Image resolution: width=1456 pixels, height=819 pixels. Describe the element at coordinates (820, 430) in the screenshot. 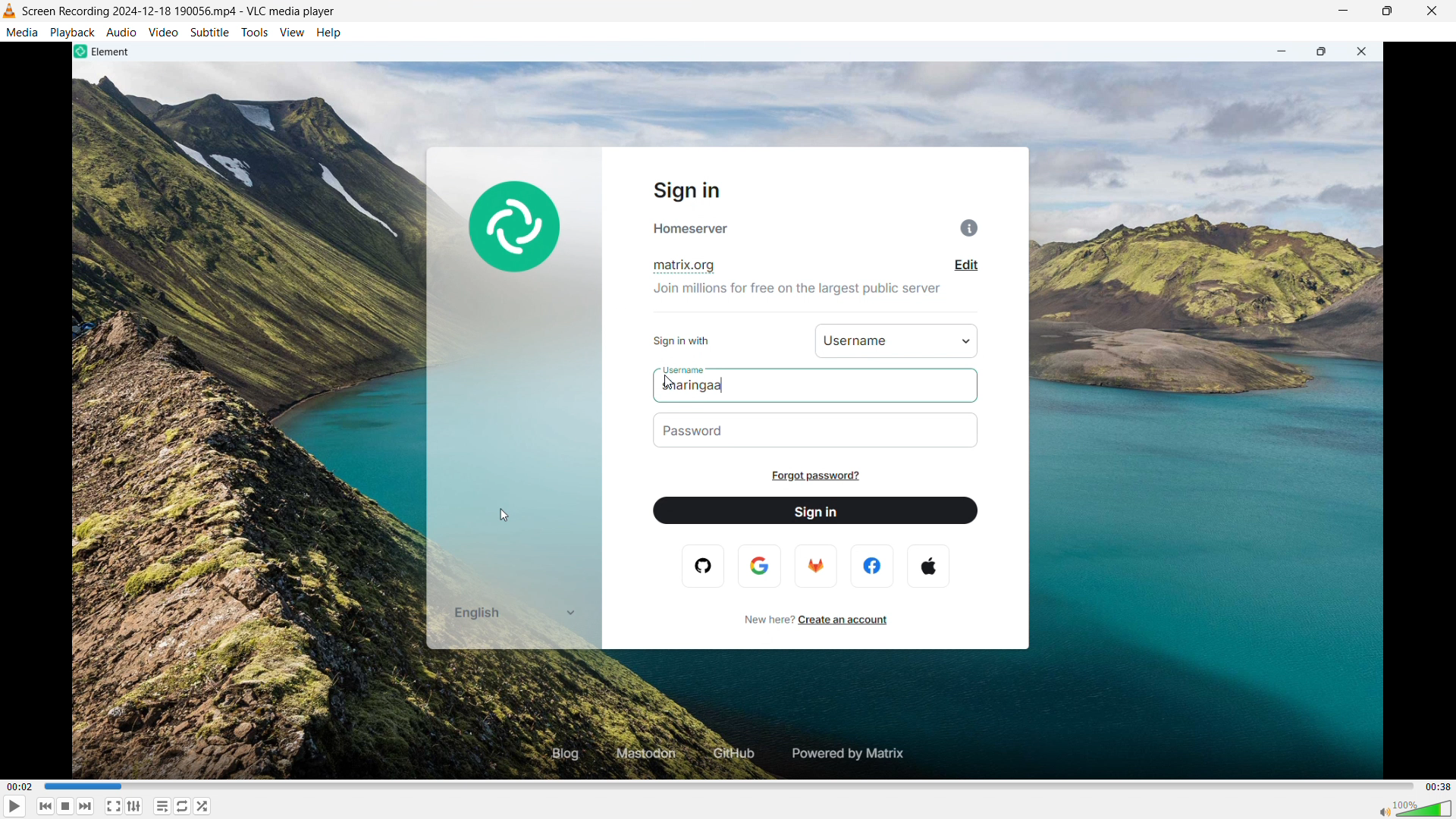

I see `password` at that location.